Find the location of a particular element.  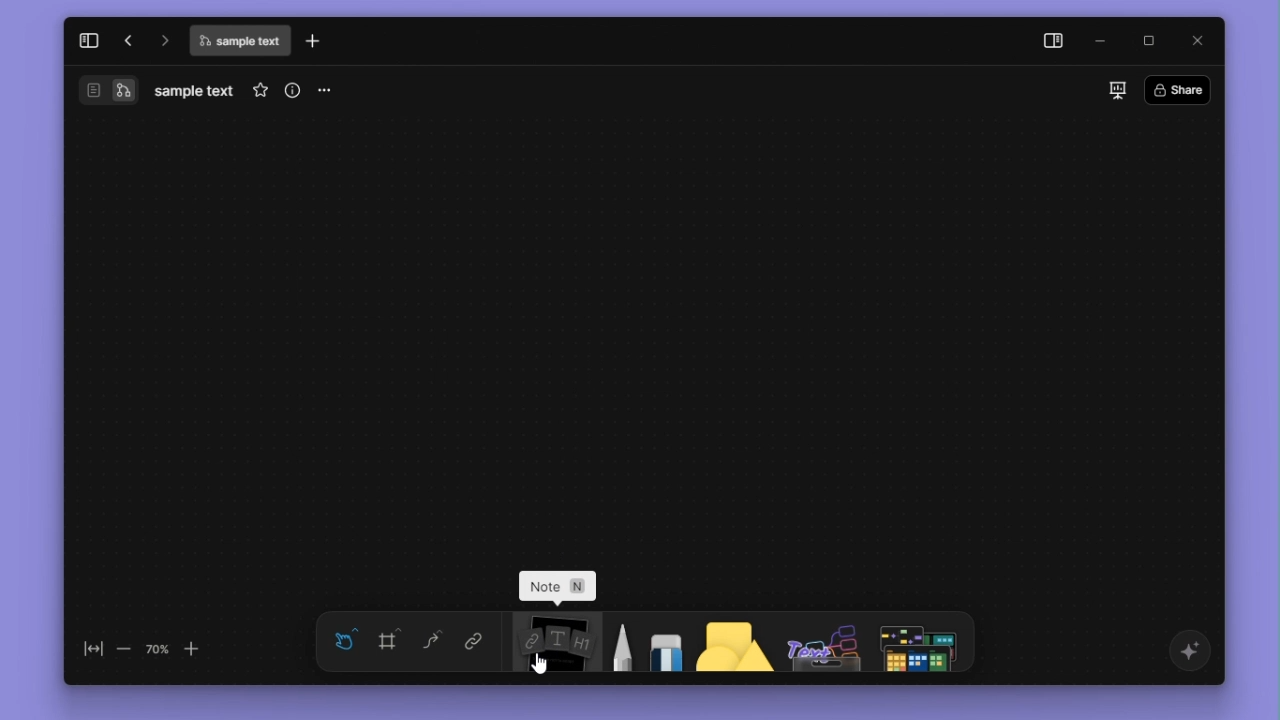

Zoom in is located at coordinates (202, 648).